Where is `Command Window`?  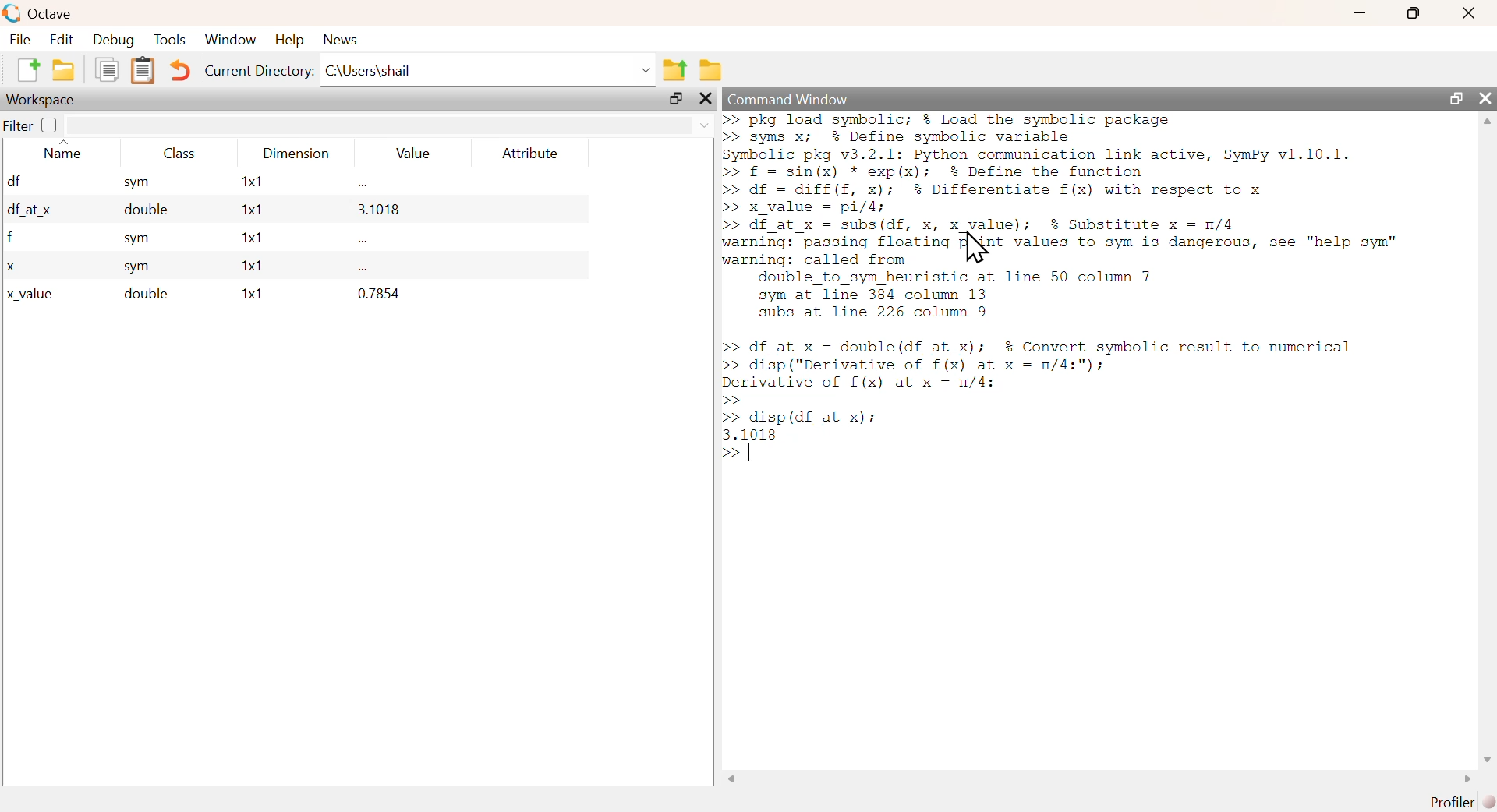 Command Window is located at coordinates (787, 101).